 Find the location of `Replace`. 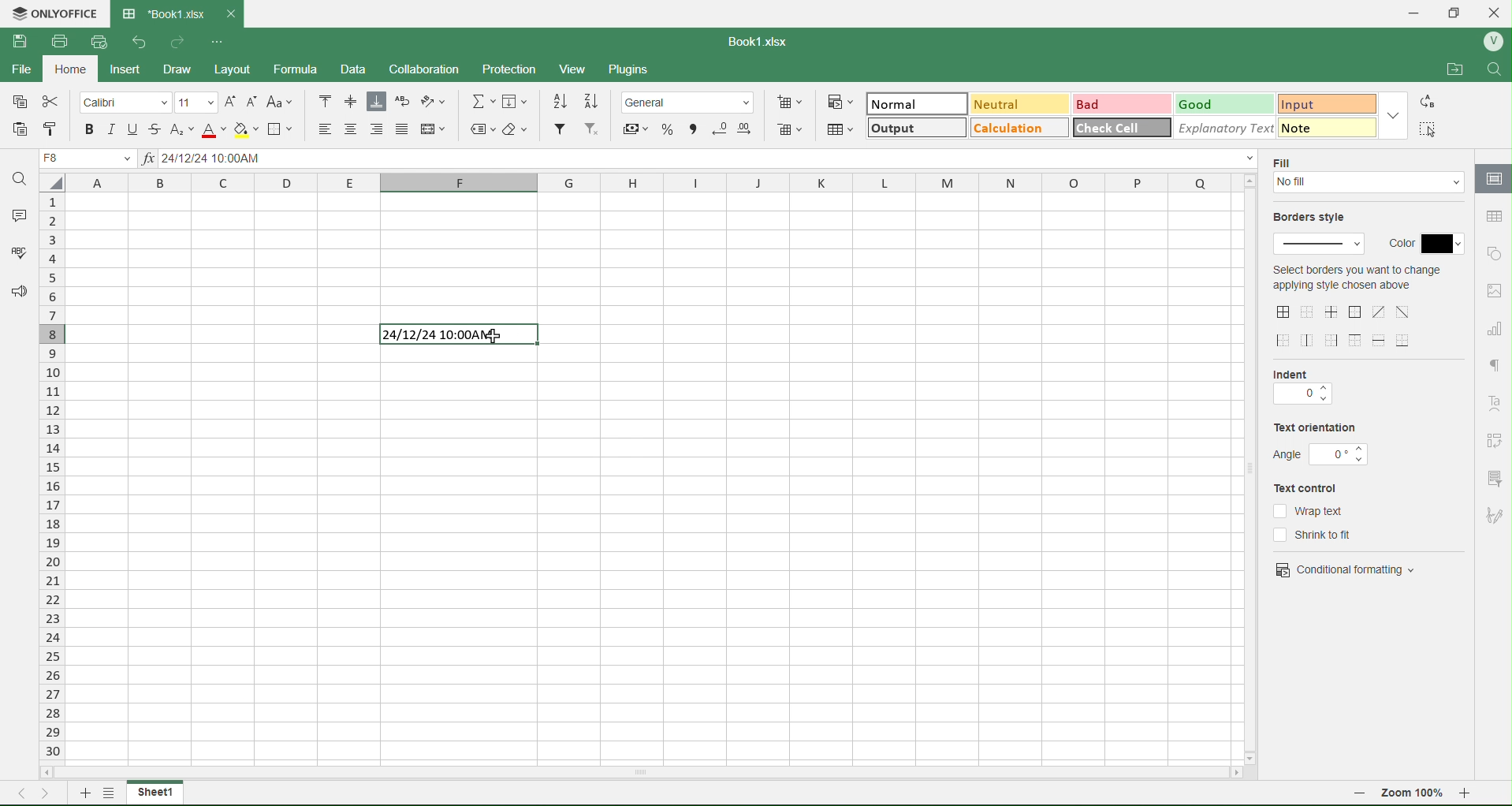

Replace is located at coordinates (1430, 102).